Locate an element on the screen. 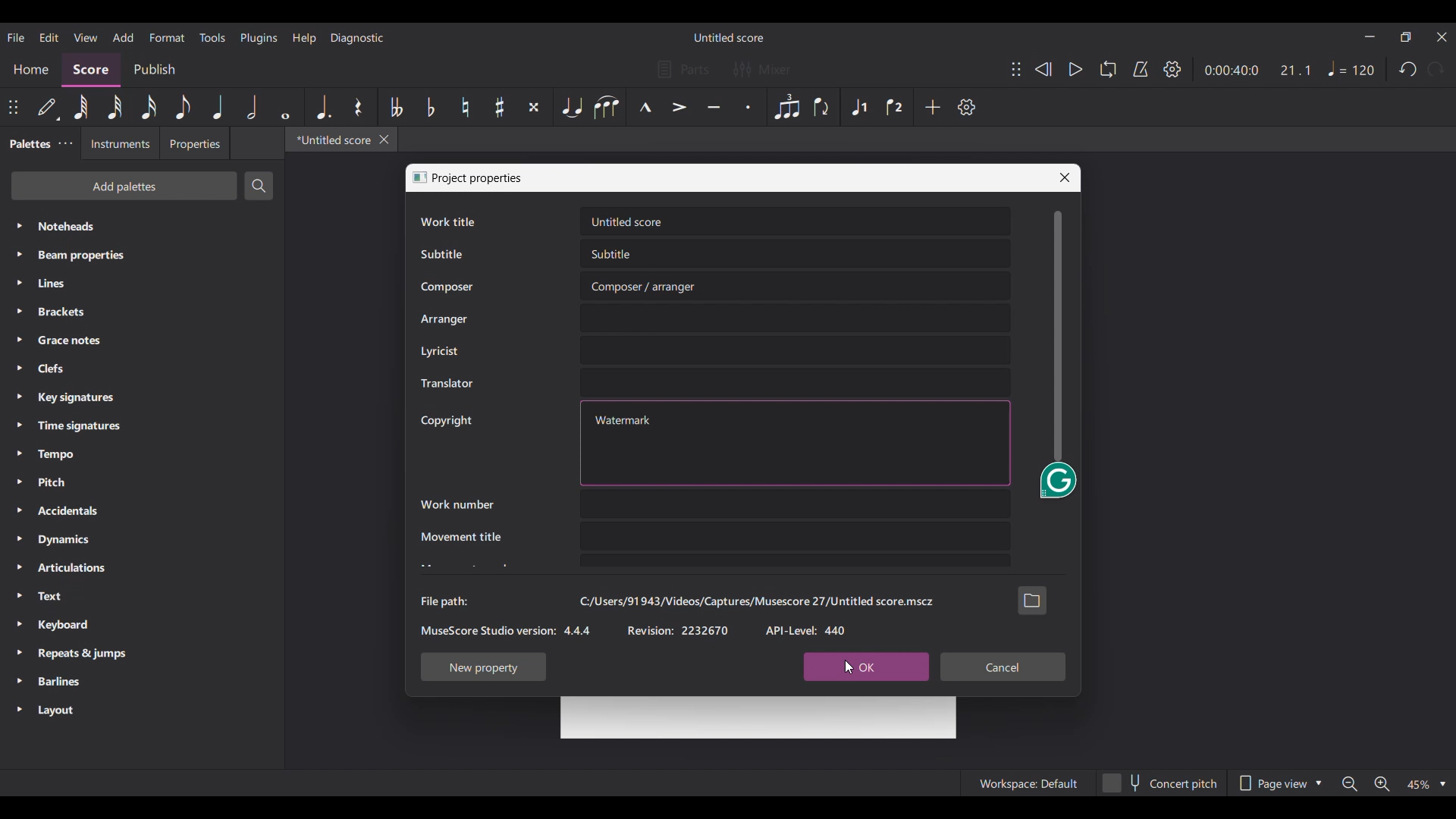  Keyboard is located at coordinates (143, 626).